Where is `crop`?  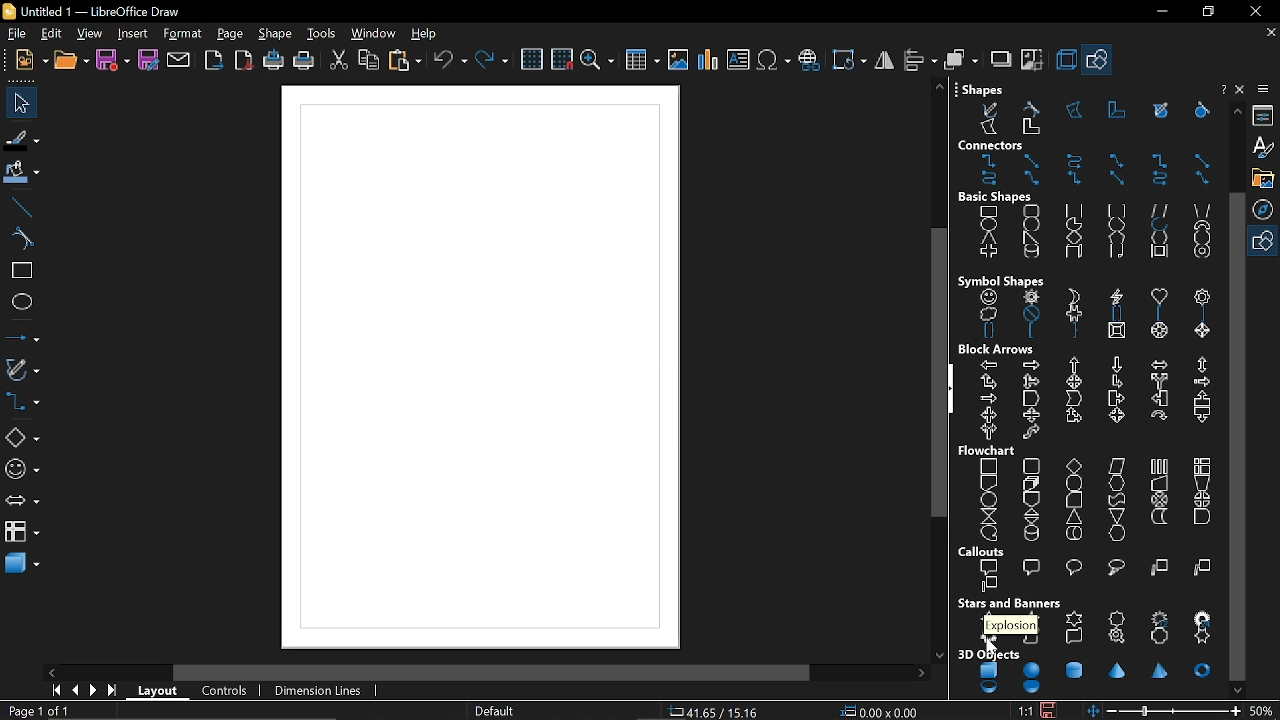
crop is located at coordinates (1034, 63).